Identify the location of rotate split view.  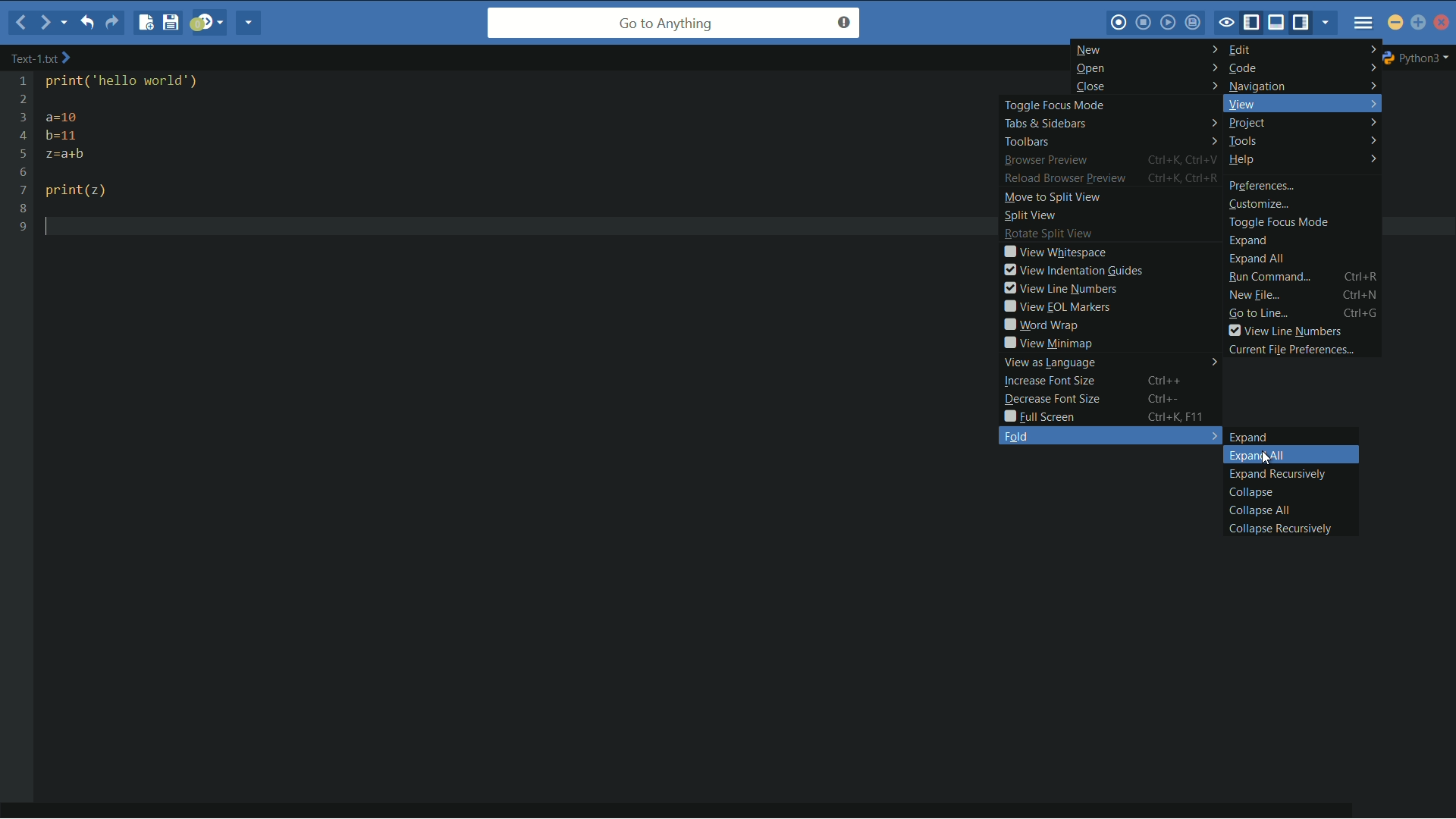
(1049, 235).